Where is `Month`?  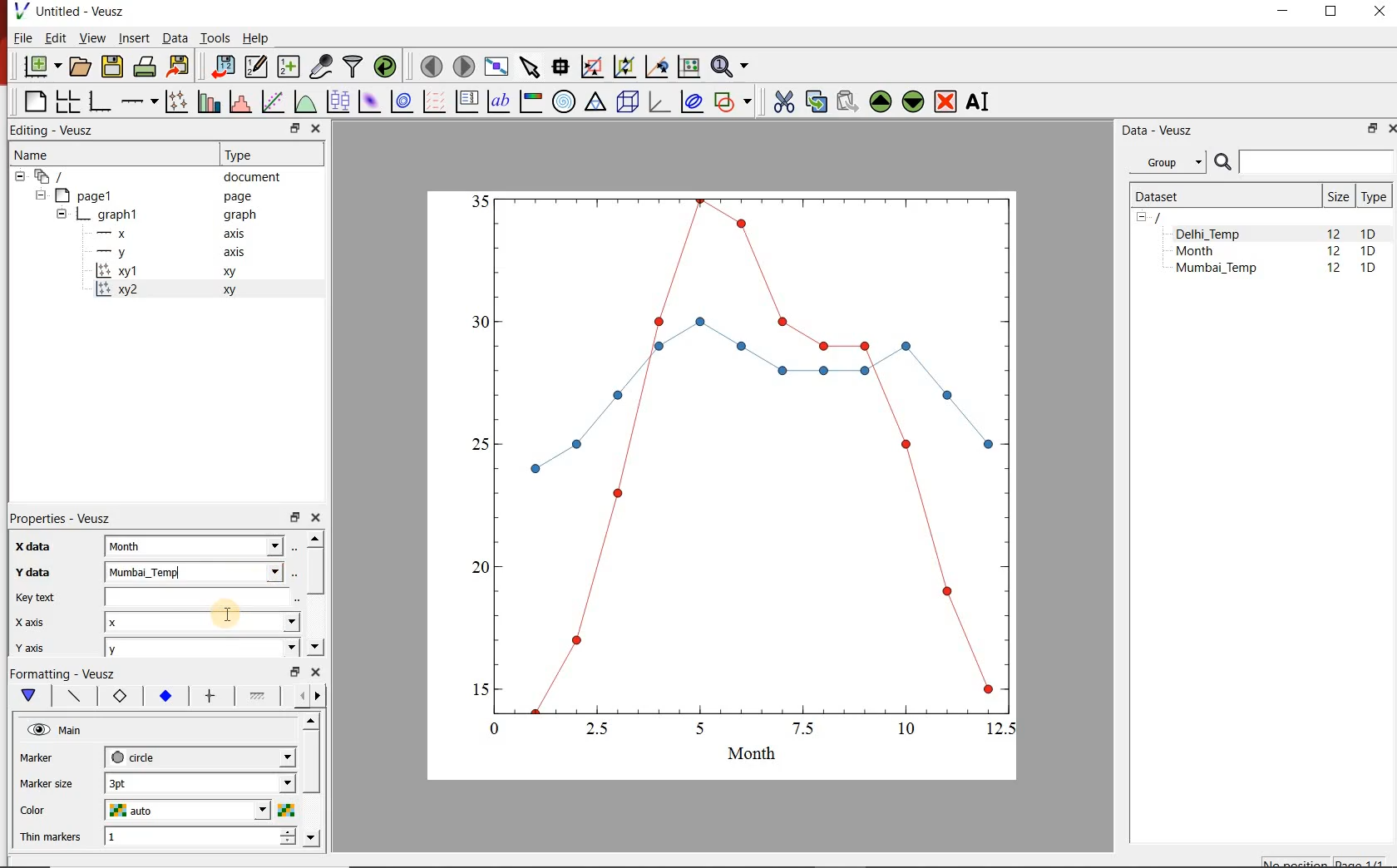 Month is located at coordinates (1207, 251).